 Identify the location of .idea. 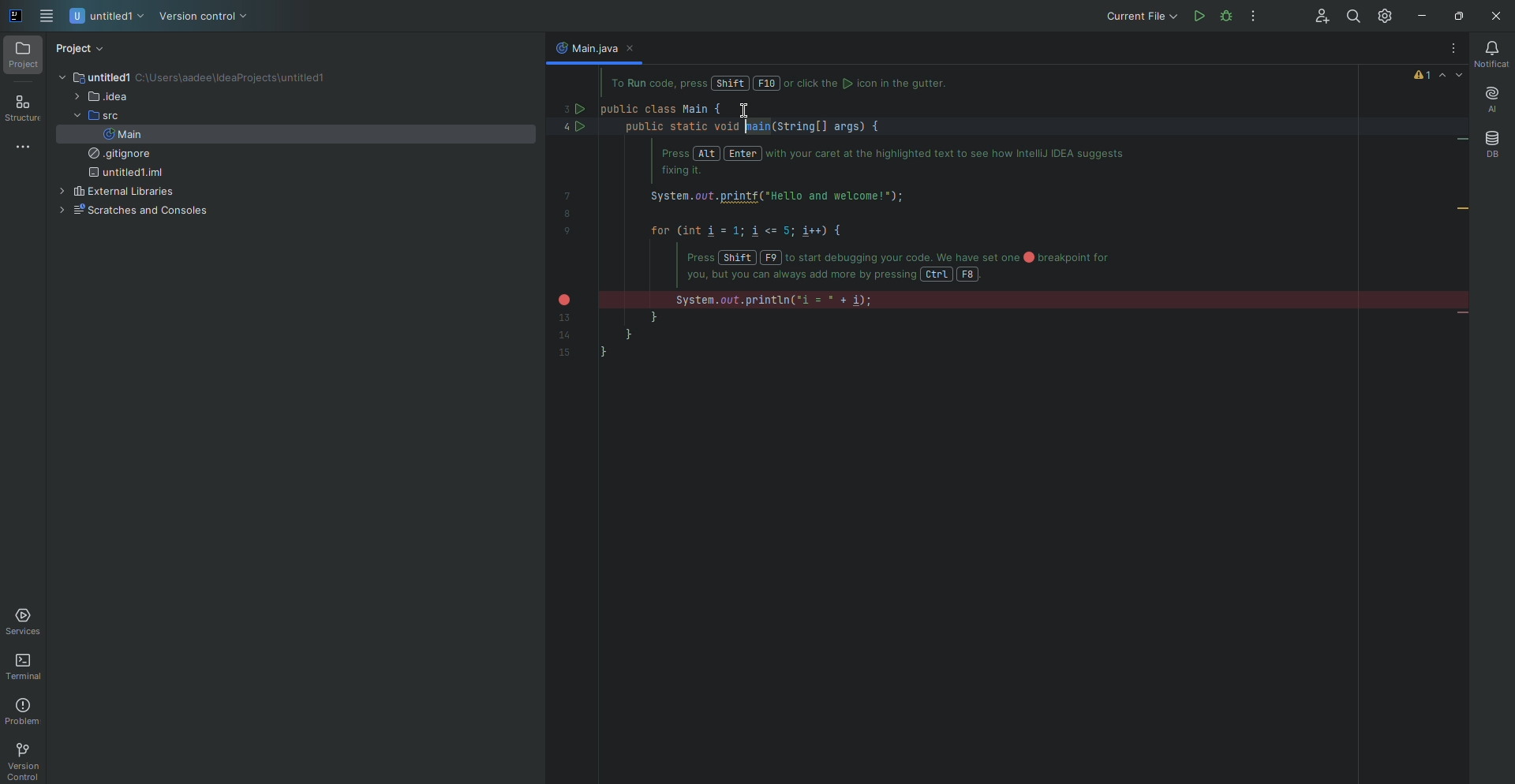
(100, 98).